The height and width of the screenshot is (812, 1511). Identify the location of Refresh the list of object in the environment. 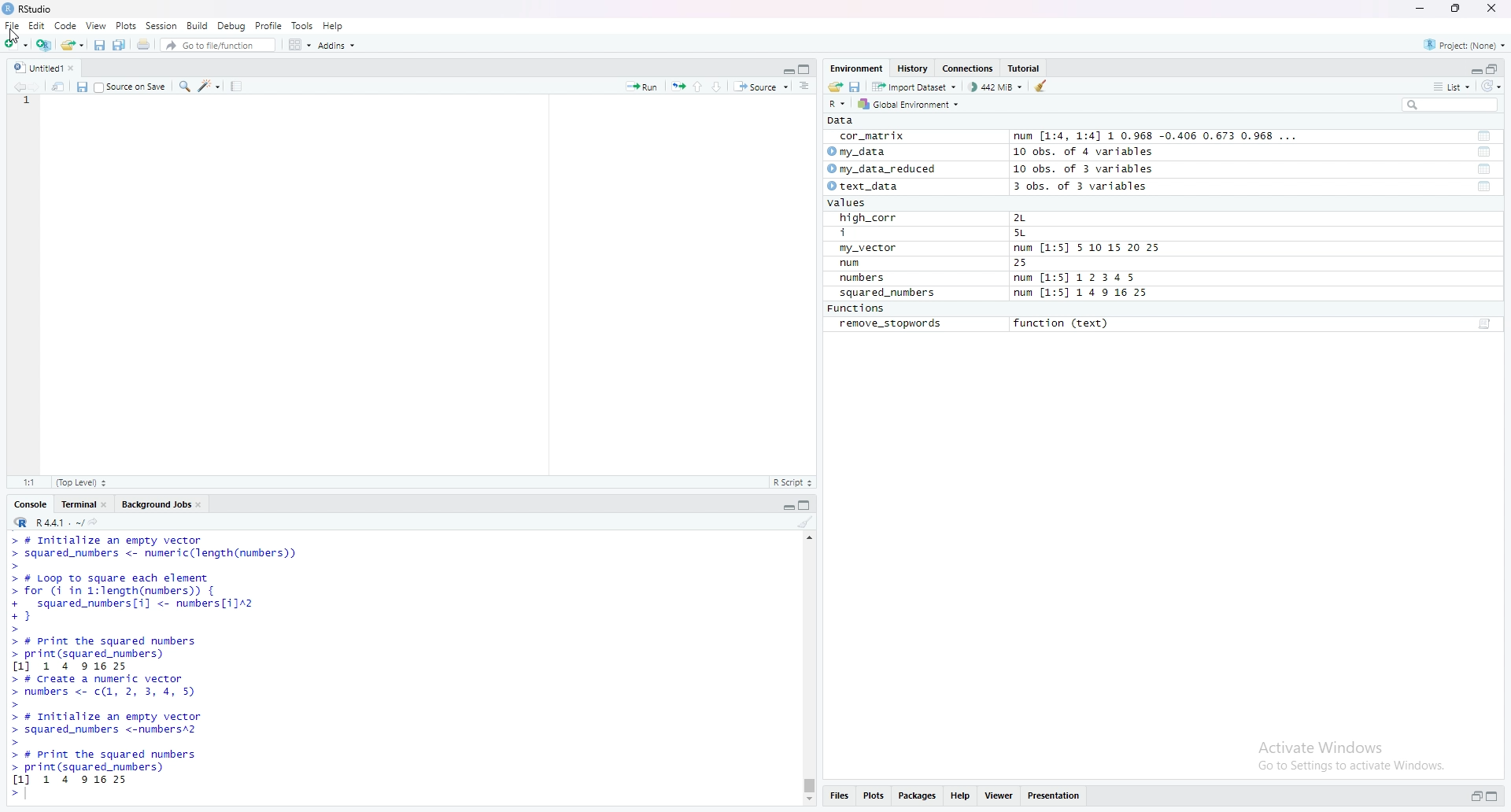
(1496, 86).